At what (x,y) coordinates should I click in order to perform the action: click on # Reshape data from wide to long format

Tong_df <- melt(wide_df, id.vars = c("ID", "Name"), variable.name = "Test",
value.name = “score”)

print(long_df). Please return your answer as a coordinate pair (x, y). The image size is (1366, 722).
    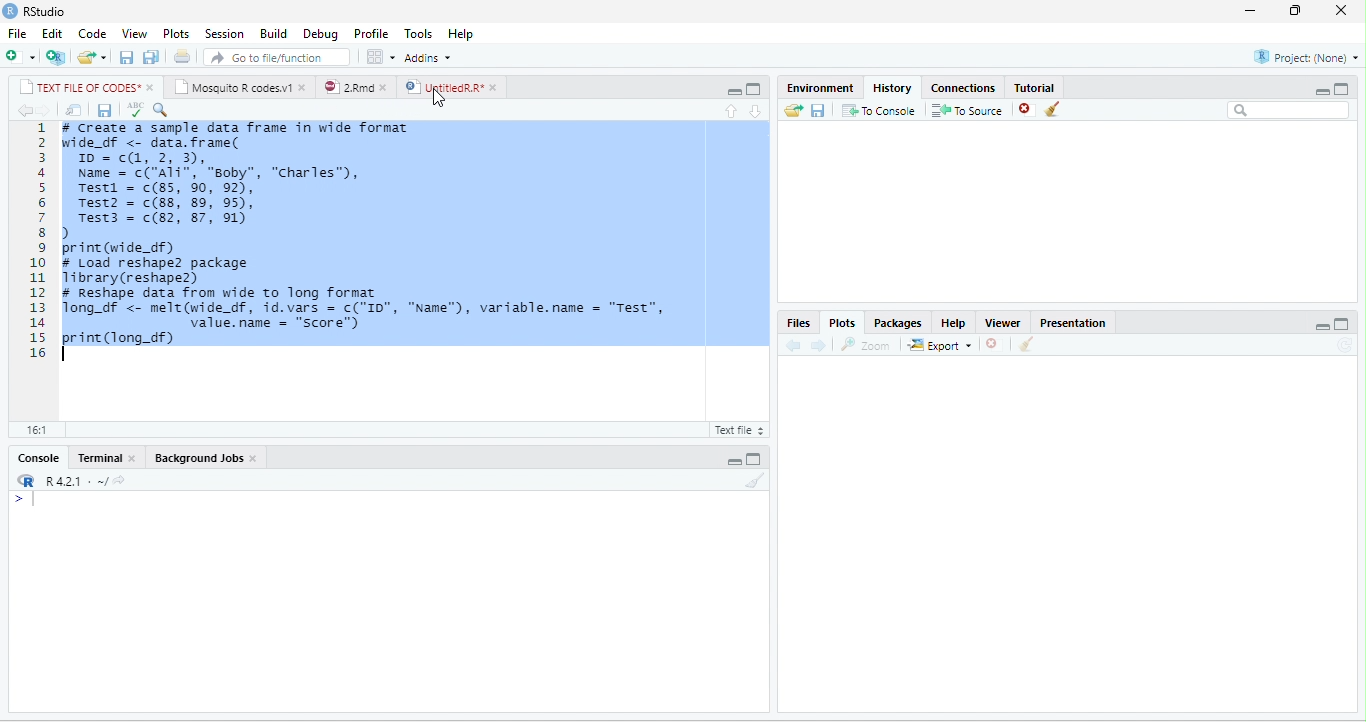
    Looking at the image, I should click on (375, 316).